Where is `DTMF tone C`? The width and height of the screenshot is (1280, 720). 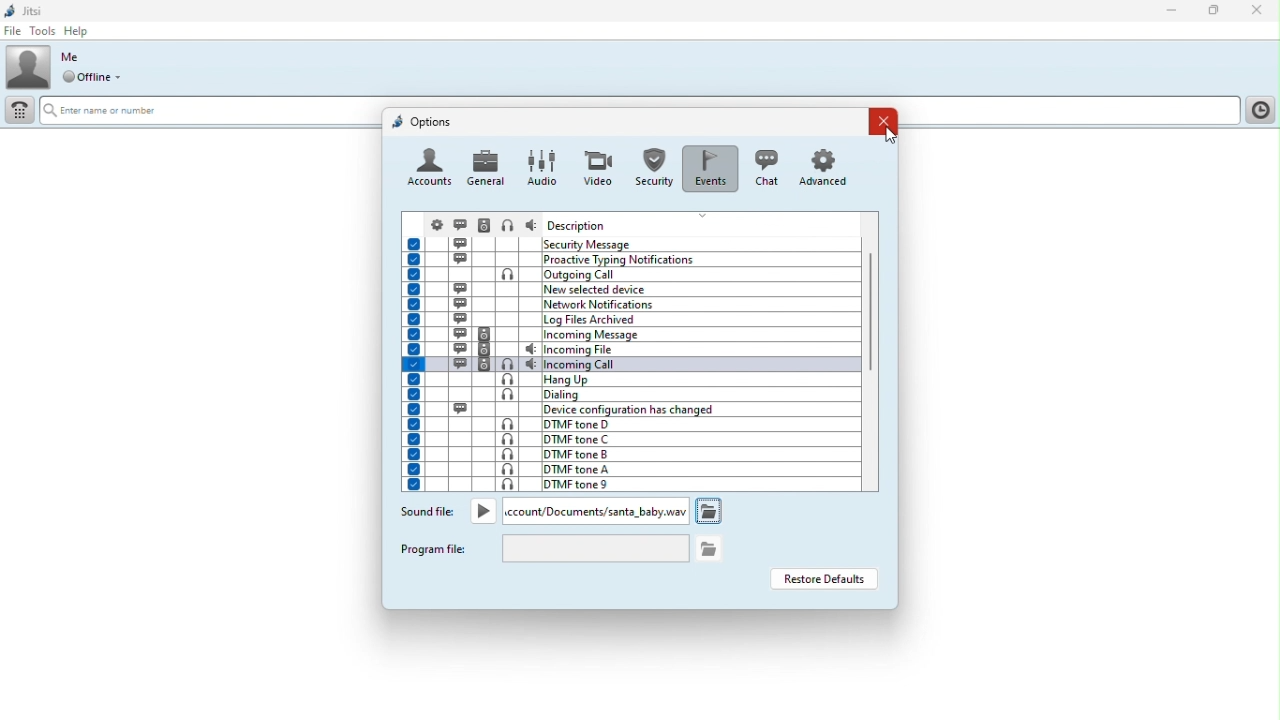
DTMF tone C is located at coordinates (625, 439).